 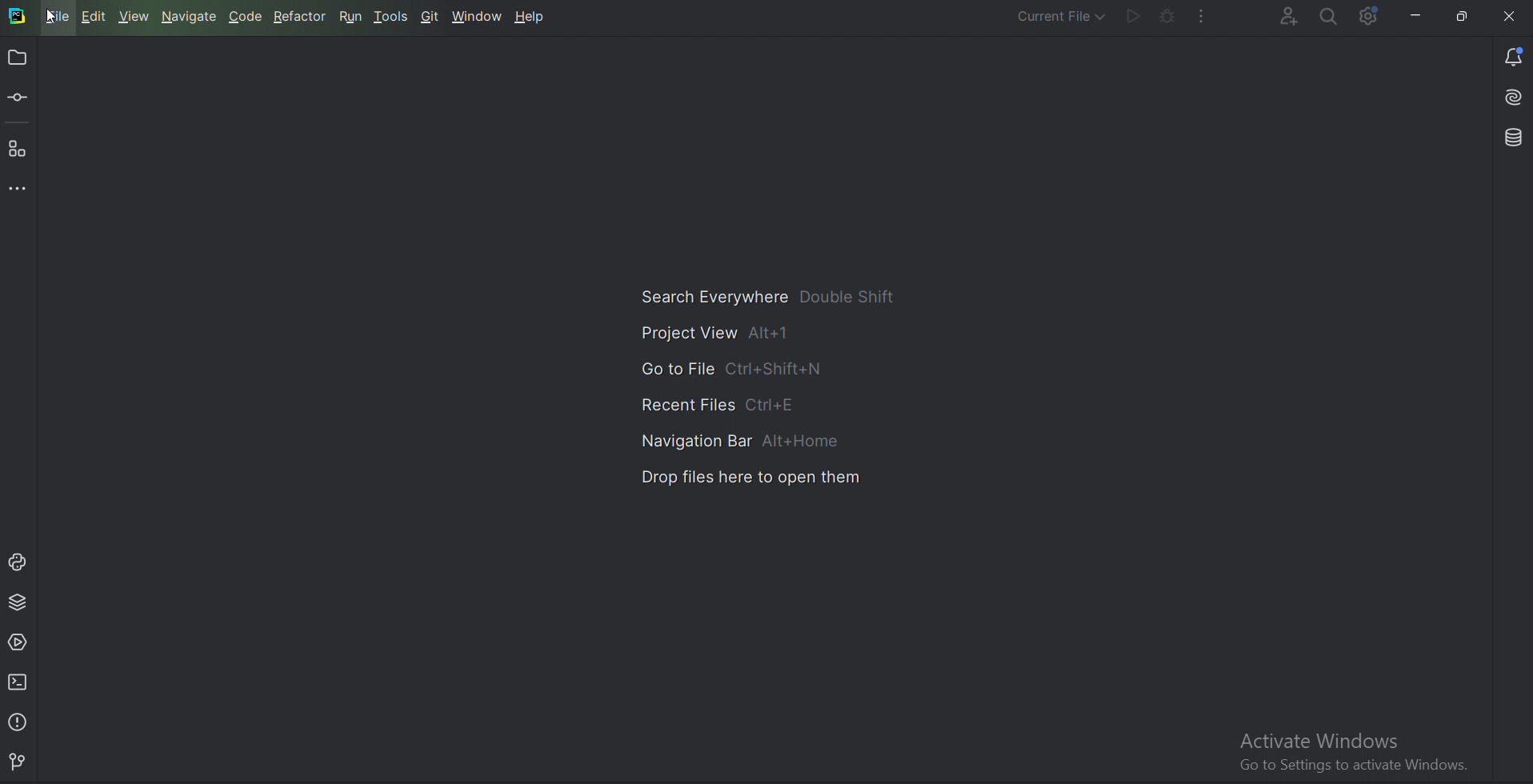 I want to click on Window, so click(x=478, y=17).